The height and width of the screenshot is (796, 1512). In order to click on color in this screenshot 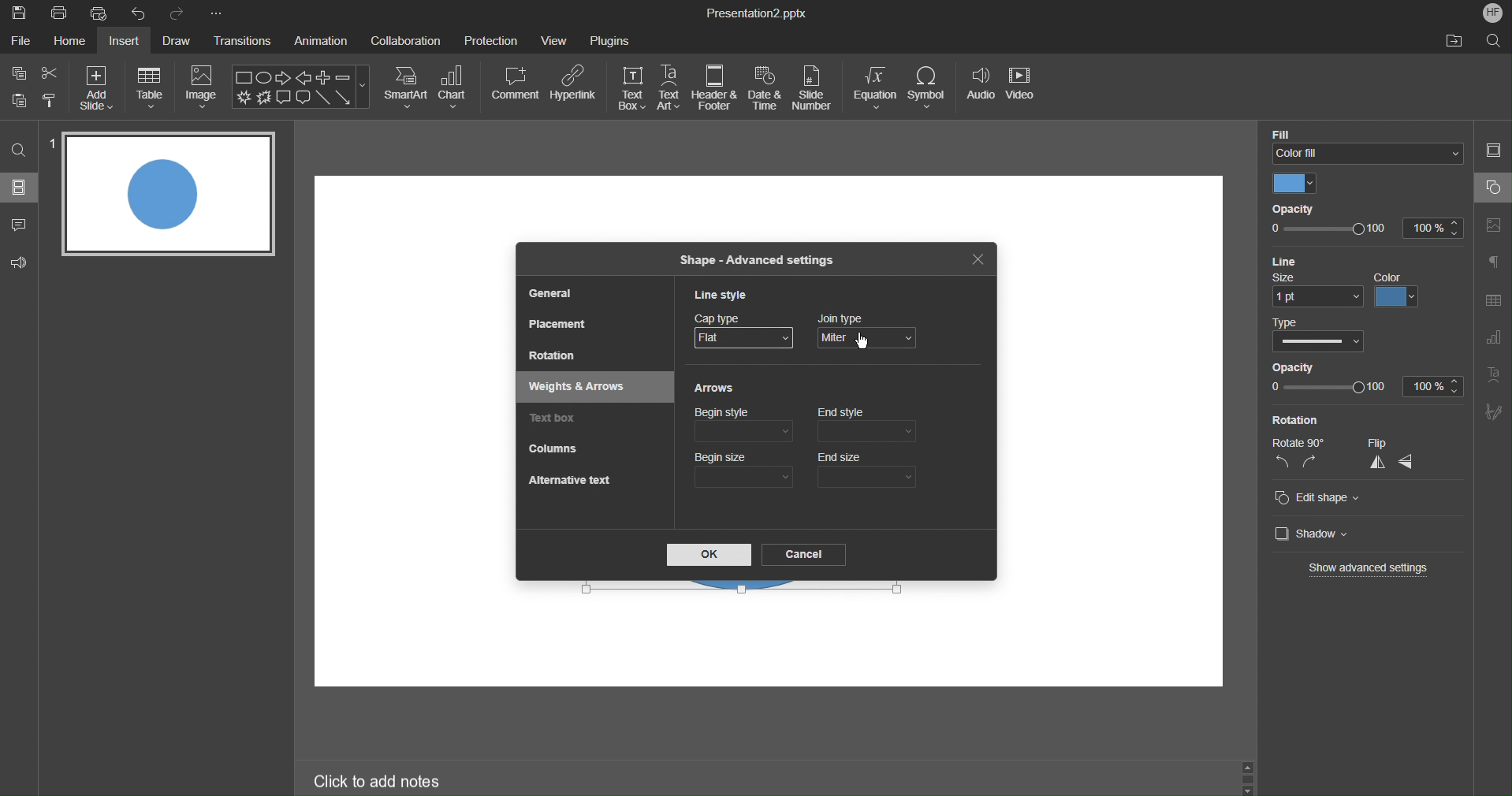, I will do `click(1399, 290)`.